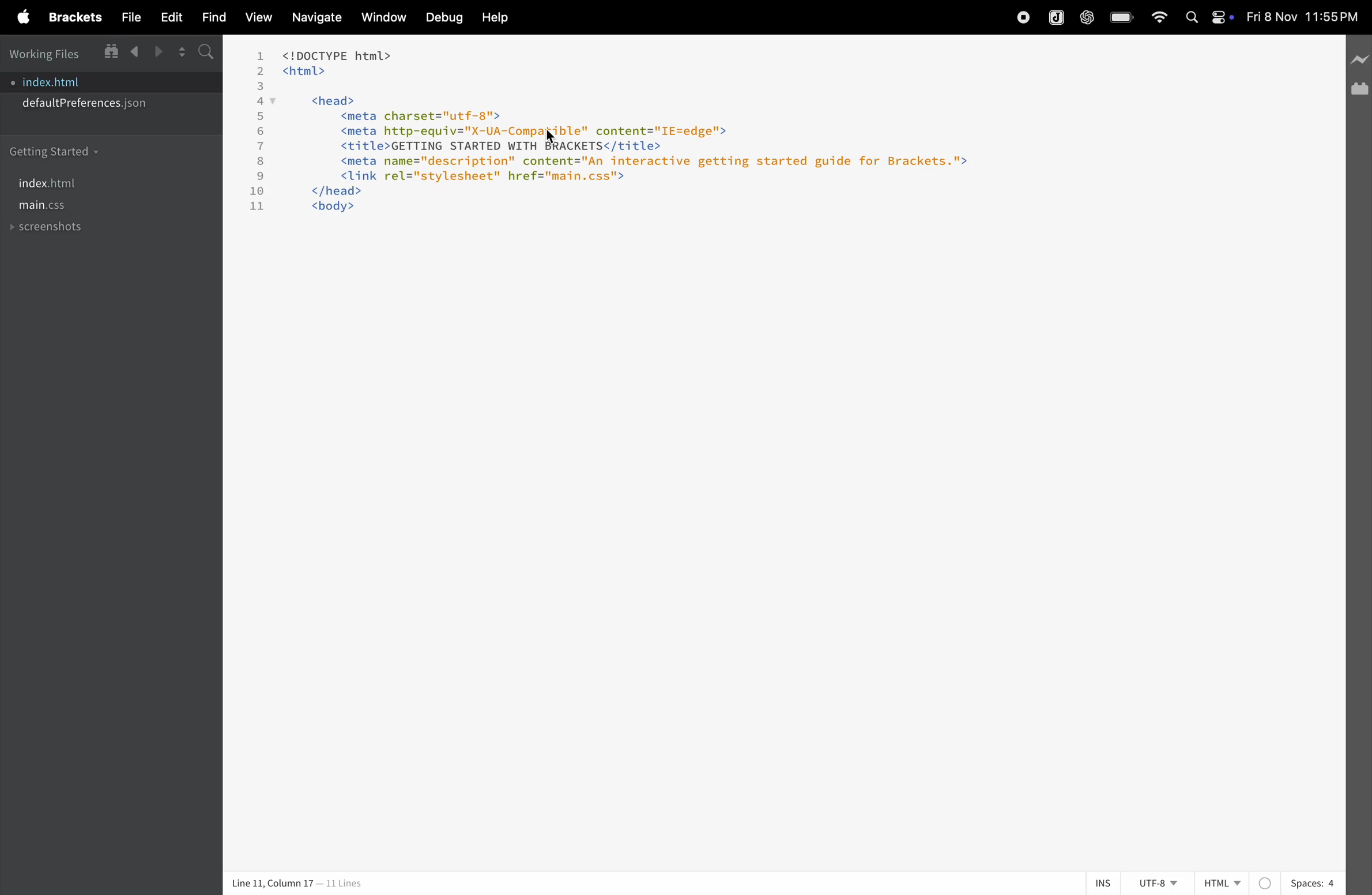 Image resolution: width=1372 pixels, height=895 pixels. What do you see at coordinates (177, 52) in the screenshot?
I see `split editor` at bounding box center [177, 52].